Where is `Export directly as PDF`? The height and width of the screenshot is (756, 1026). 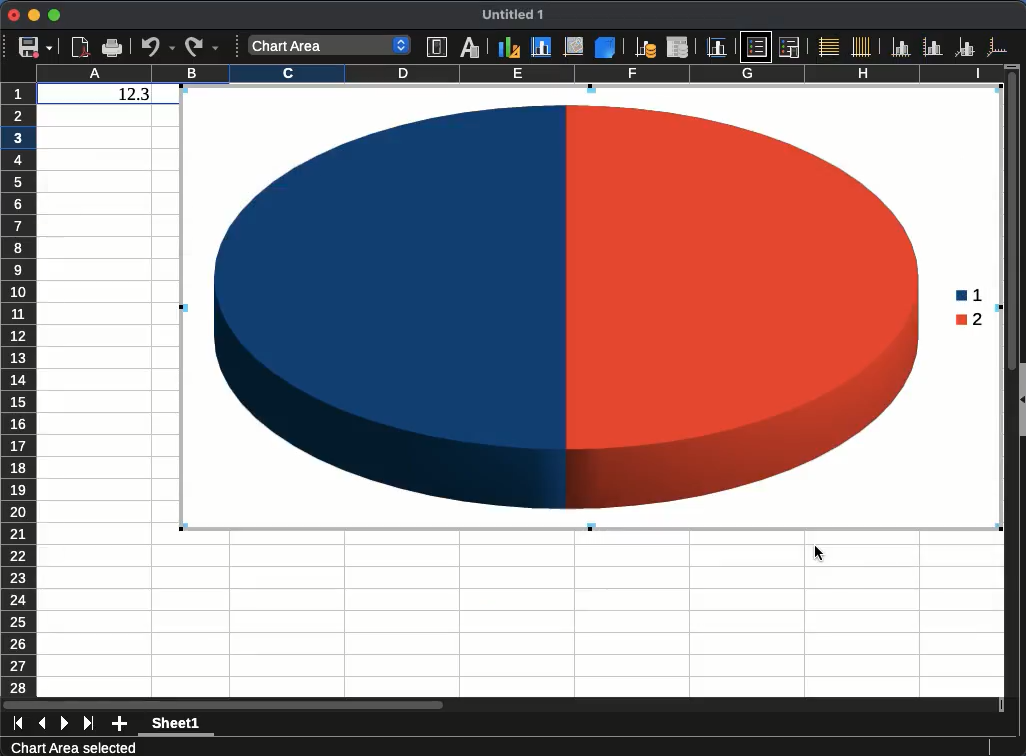 Export directly as PDF is located at coordinates (82, 48).